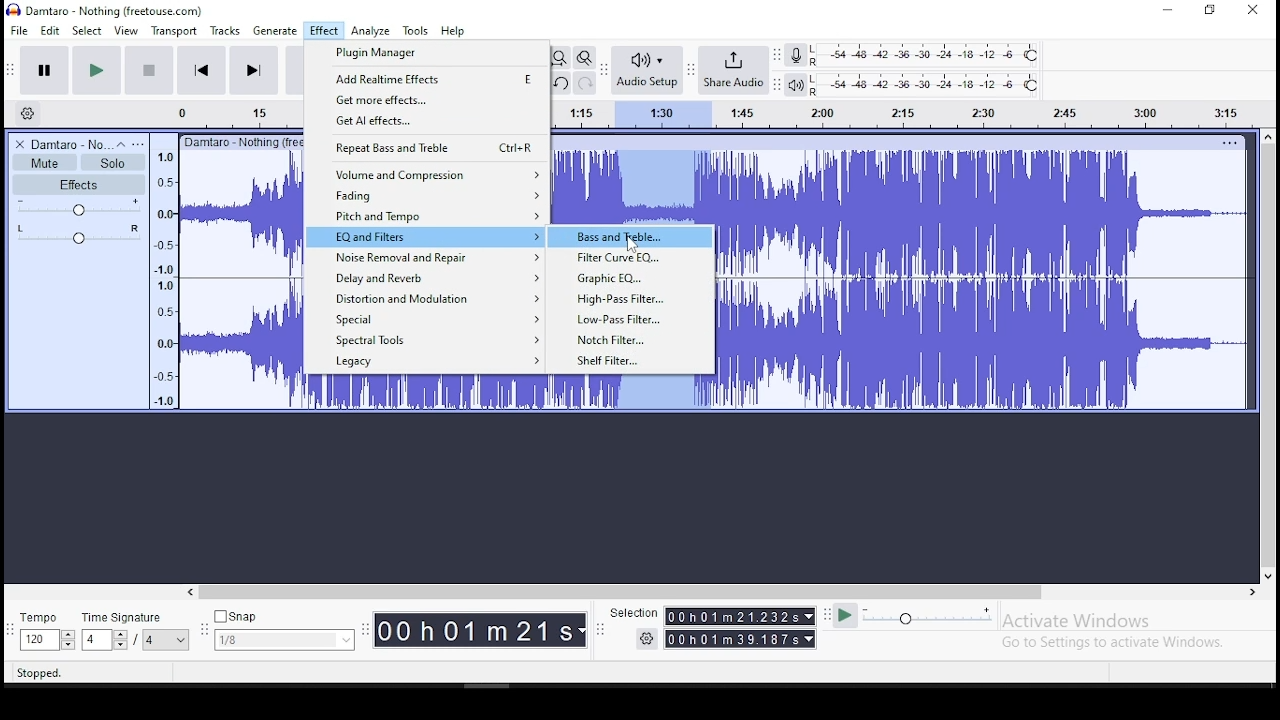  Describe the element at coordinates (67, 640) in the screenshot. I see `drop down` at that location.